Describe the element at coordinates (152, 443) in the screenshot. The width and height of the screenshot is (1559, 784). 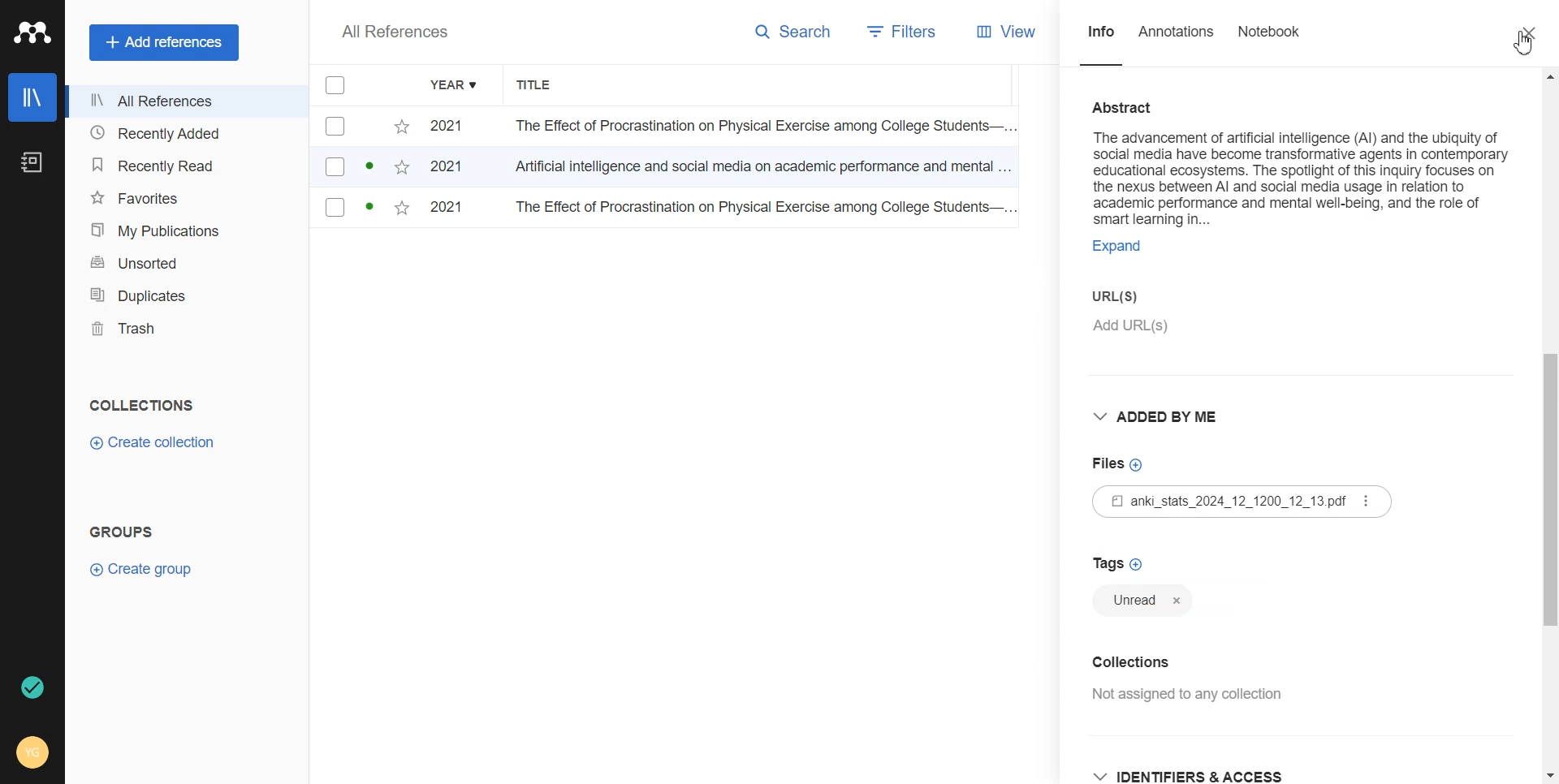
I see `Create collection` at that location.